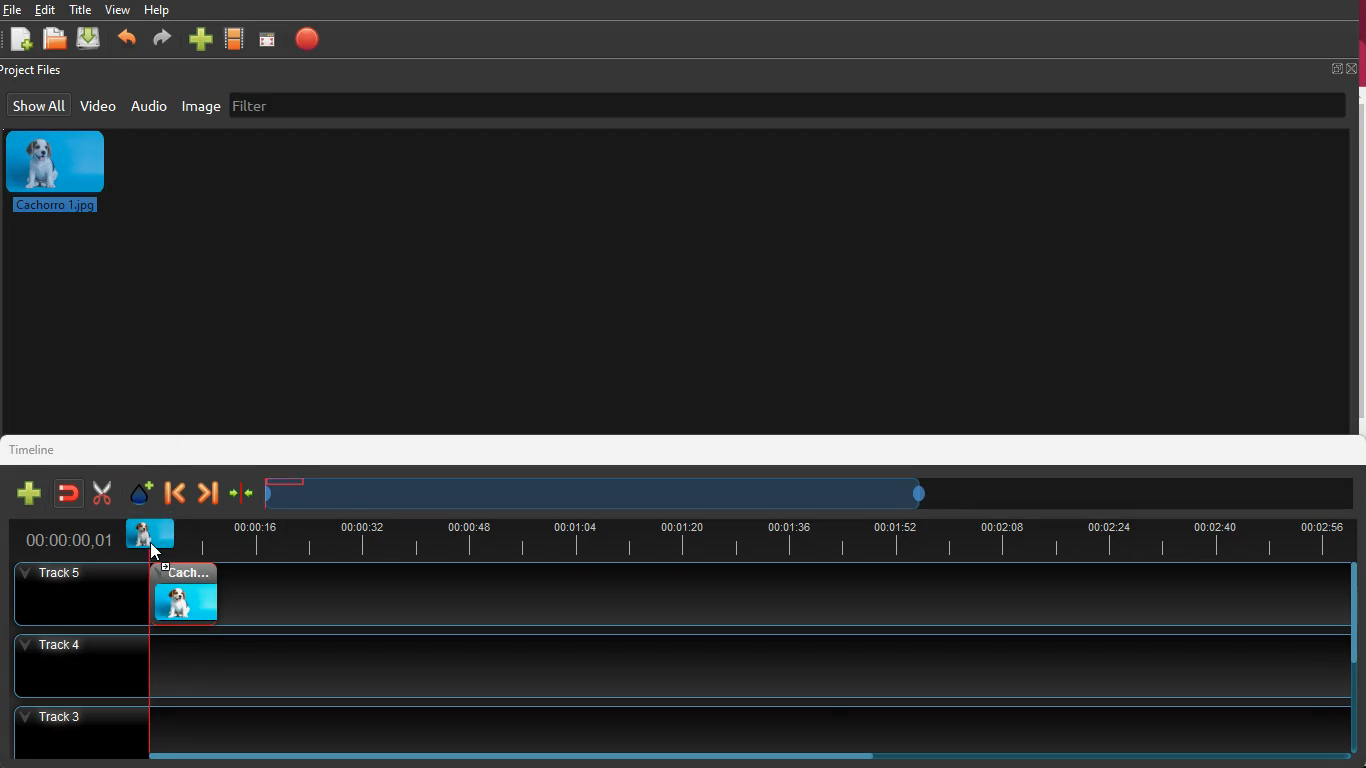 Image resolution: width=1366 pixels, height=768 pixels. What do you see at coordinates (161, 39) in the screenshot?
I see `forward` at bounding box center [161, 39].